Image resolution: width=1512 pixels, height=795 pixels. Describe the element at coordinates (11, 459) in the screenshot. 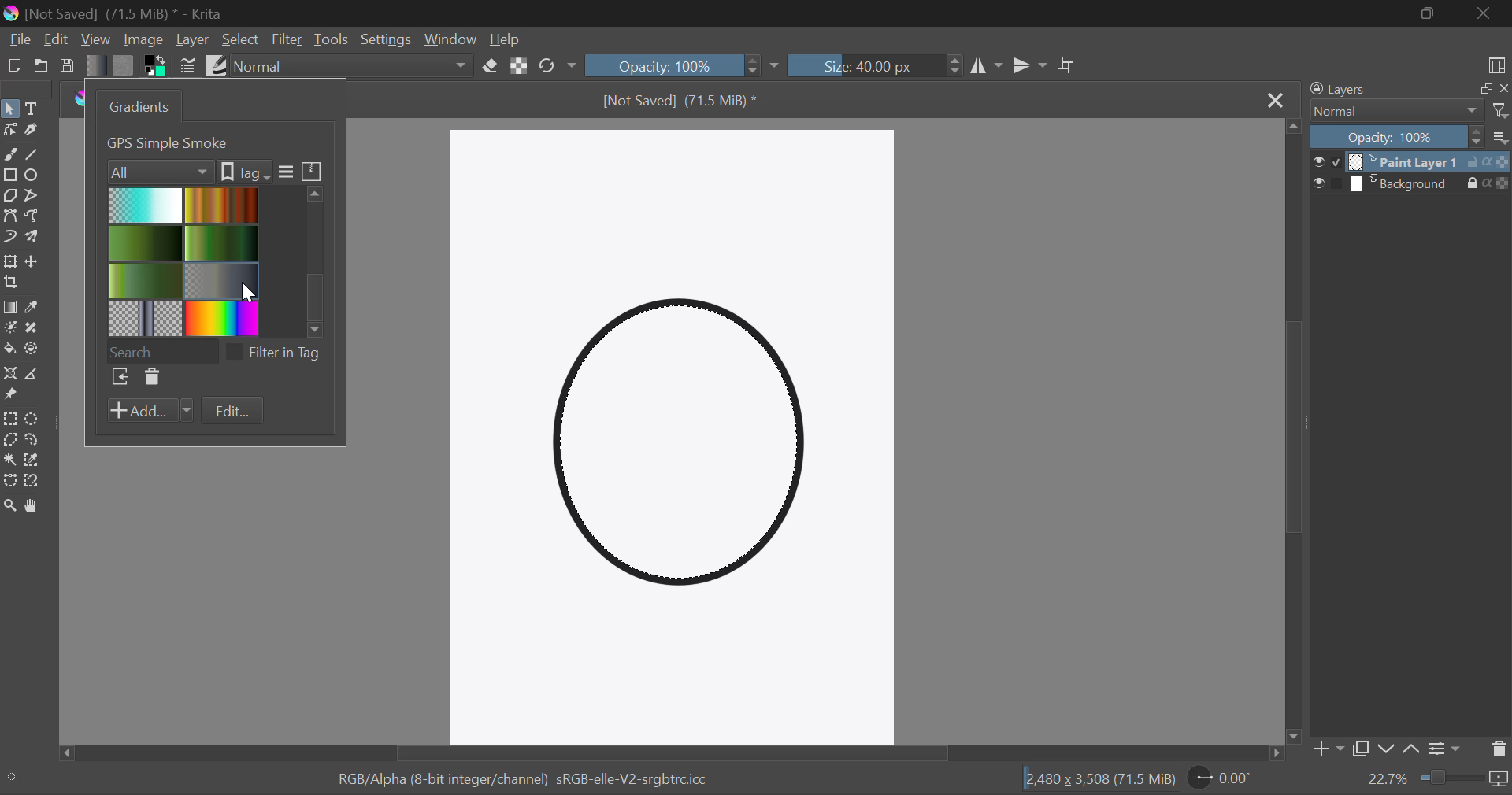

I see `Continuous Selection` at that location.